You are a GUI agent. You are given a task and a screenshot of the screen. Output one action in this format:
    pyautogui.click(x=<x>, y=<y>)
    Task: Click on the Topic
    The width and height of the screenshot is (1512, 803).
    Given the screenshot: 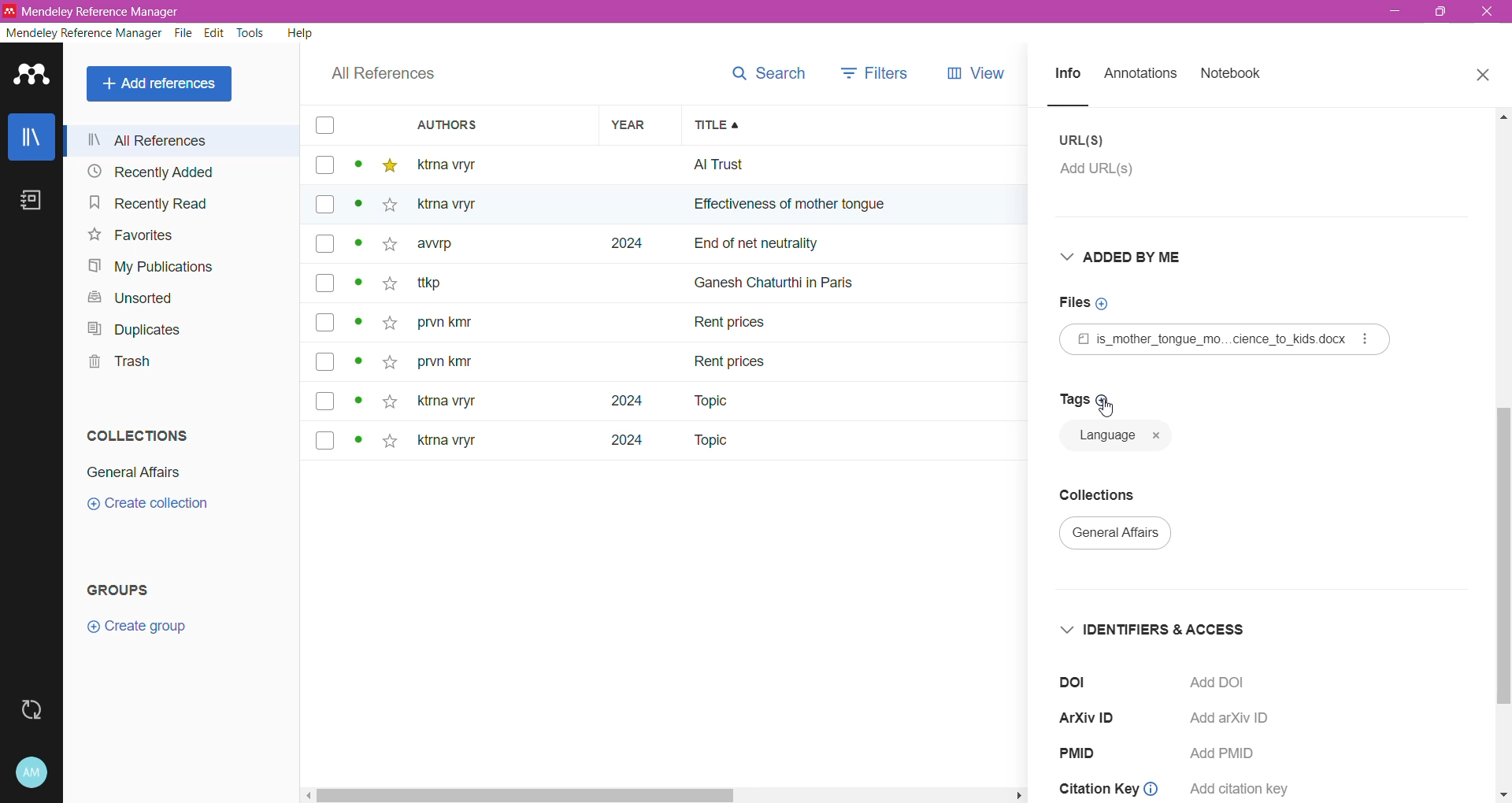 What is the action you would take?
    pyautogui.click(x=709, y=442)
    